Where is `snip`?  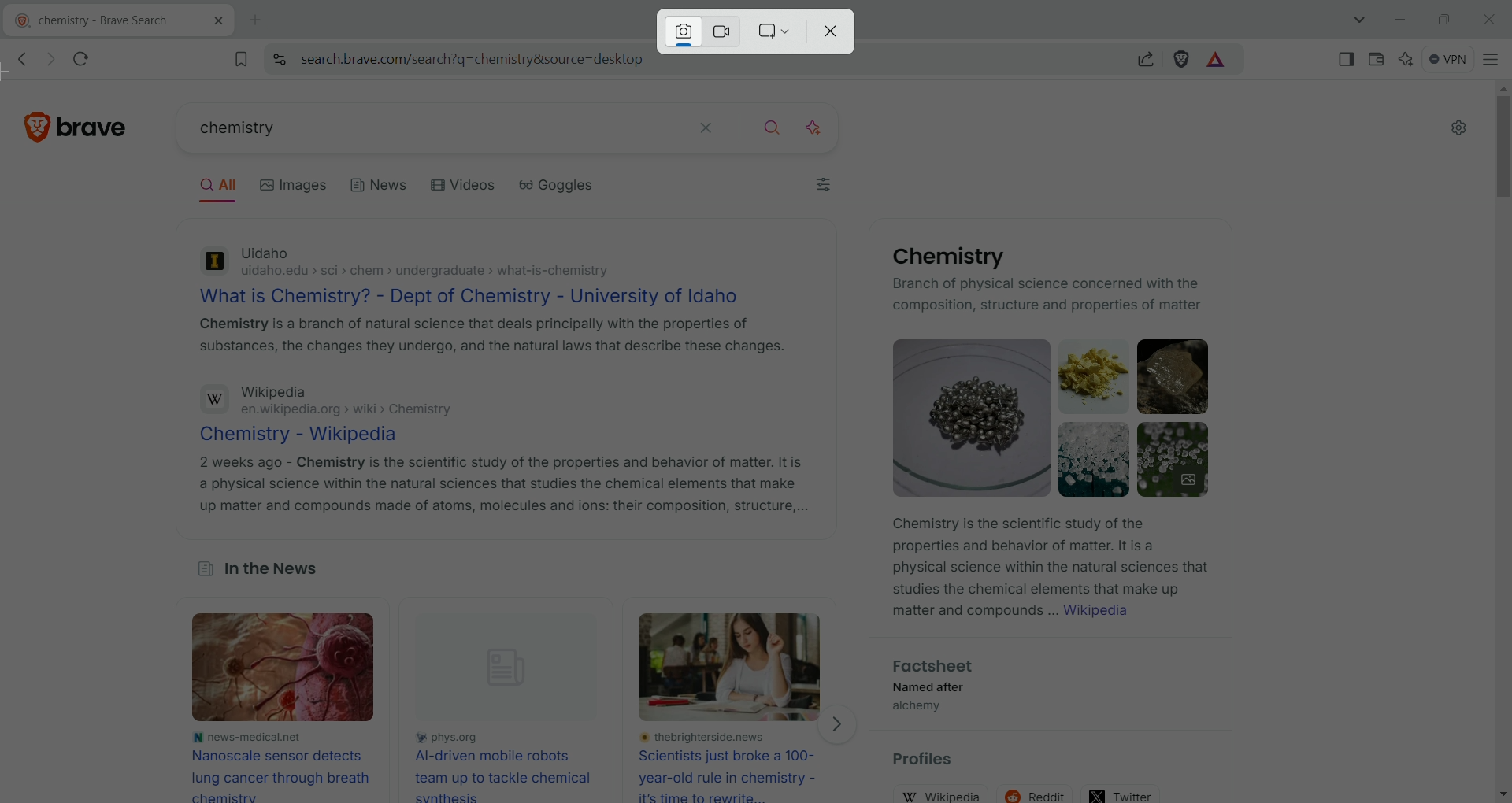 snip is located at coordinates (682, 31).